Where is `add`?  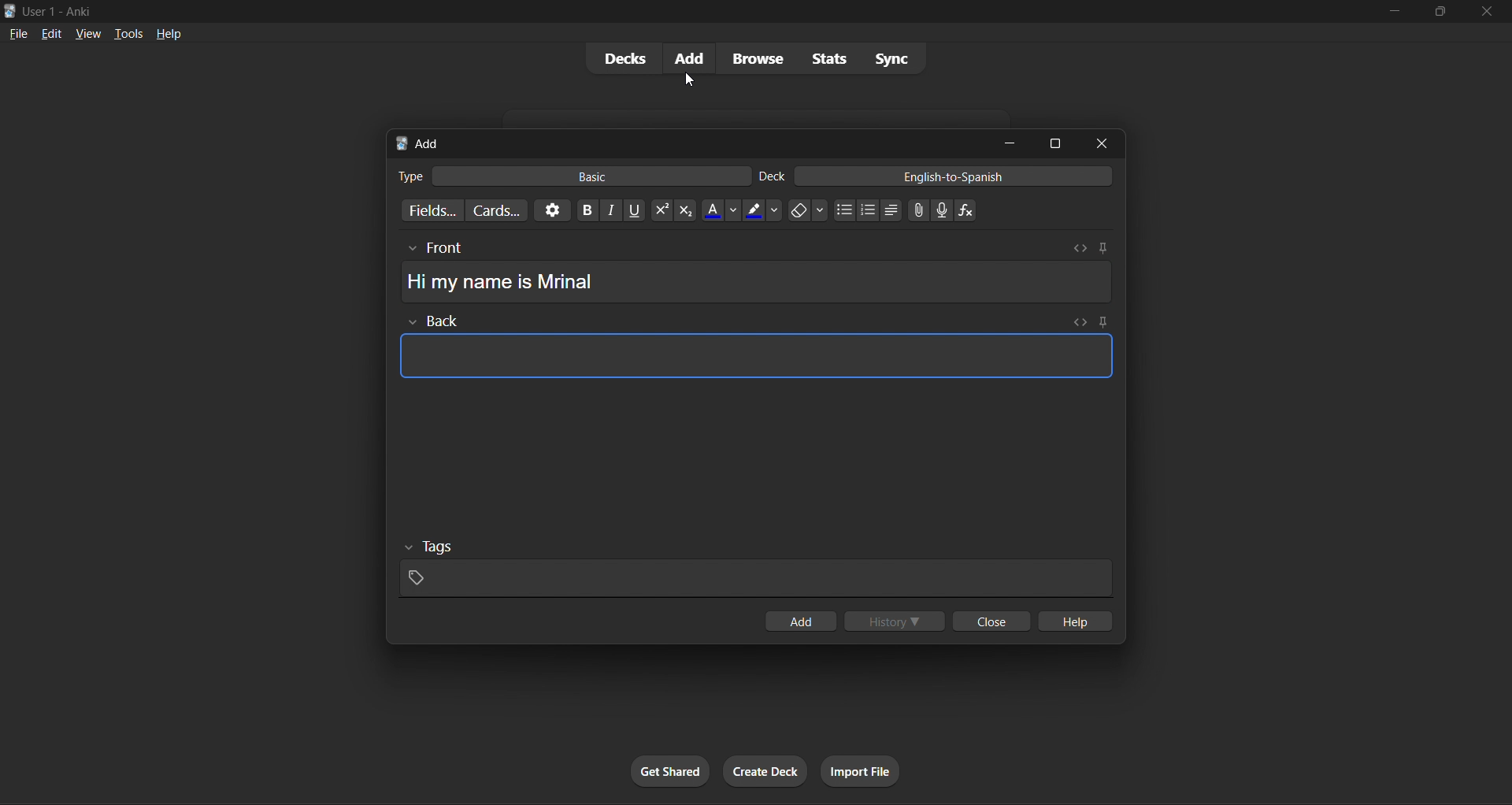
add is located at coordinates (690, 57).